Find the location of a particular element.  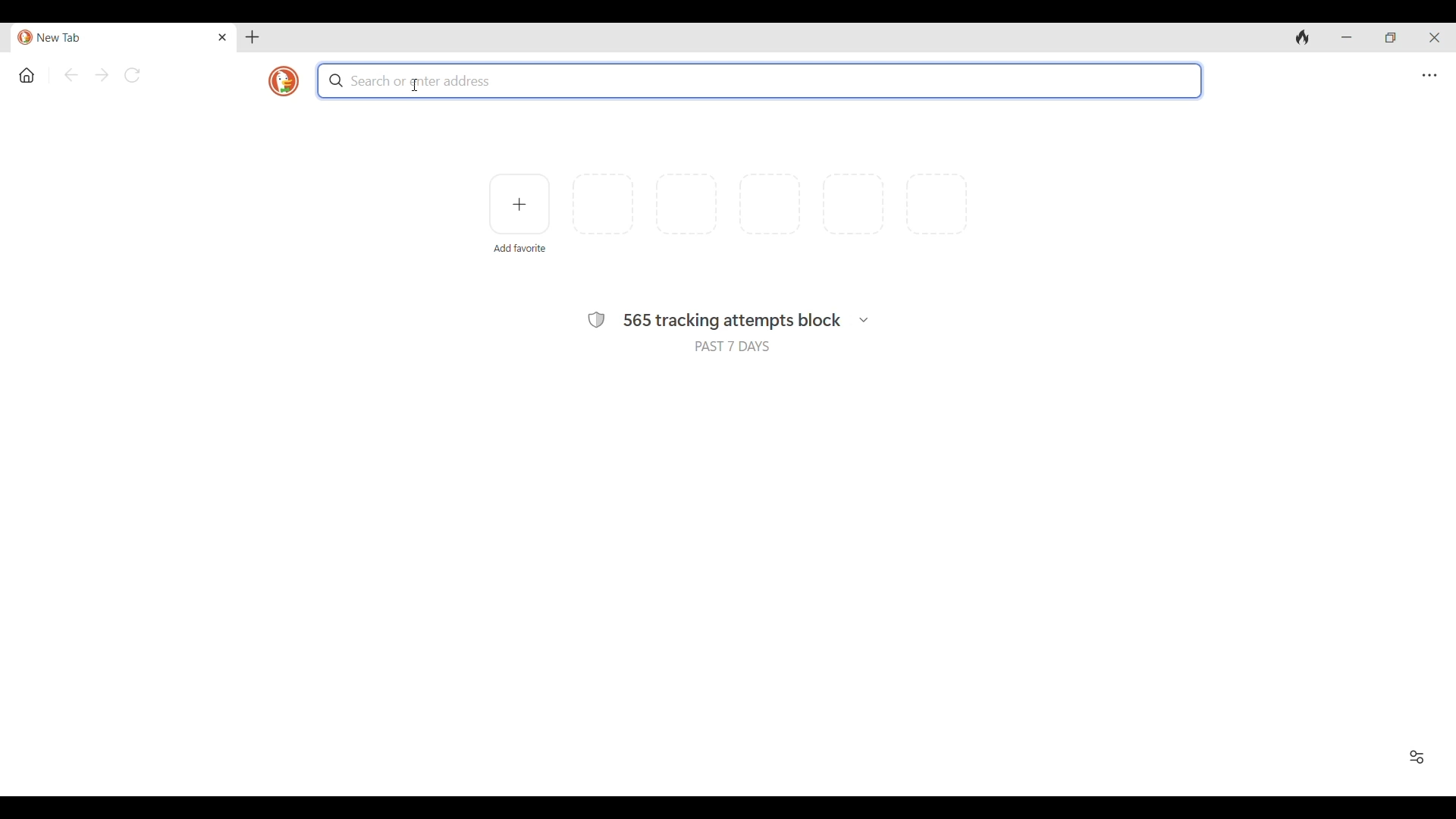

565 tracking attempts block is located at coordinates (733, 322).